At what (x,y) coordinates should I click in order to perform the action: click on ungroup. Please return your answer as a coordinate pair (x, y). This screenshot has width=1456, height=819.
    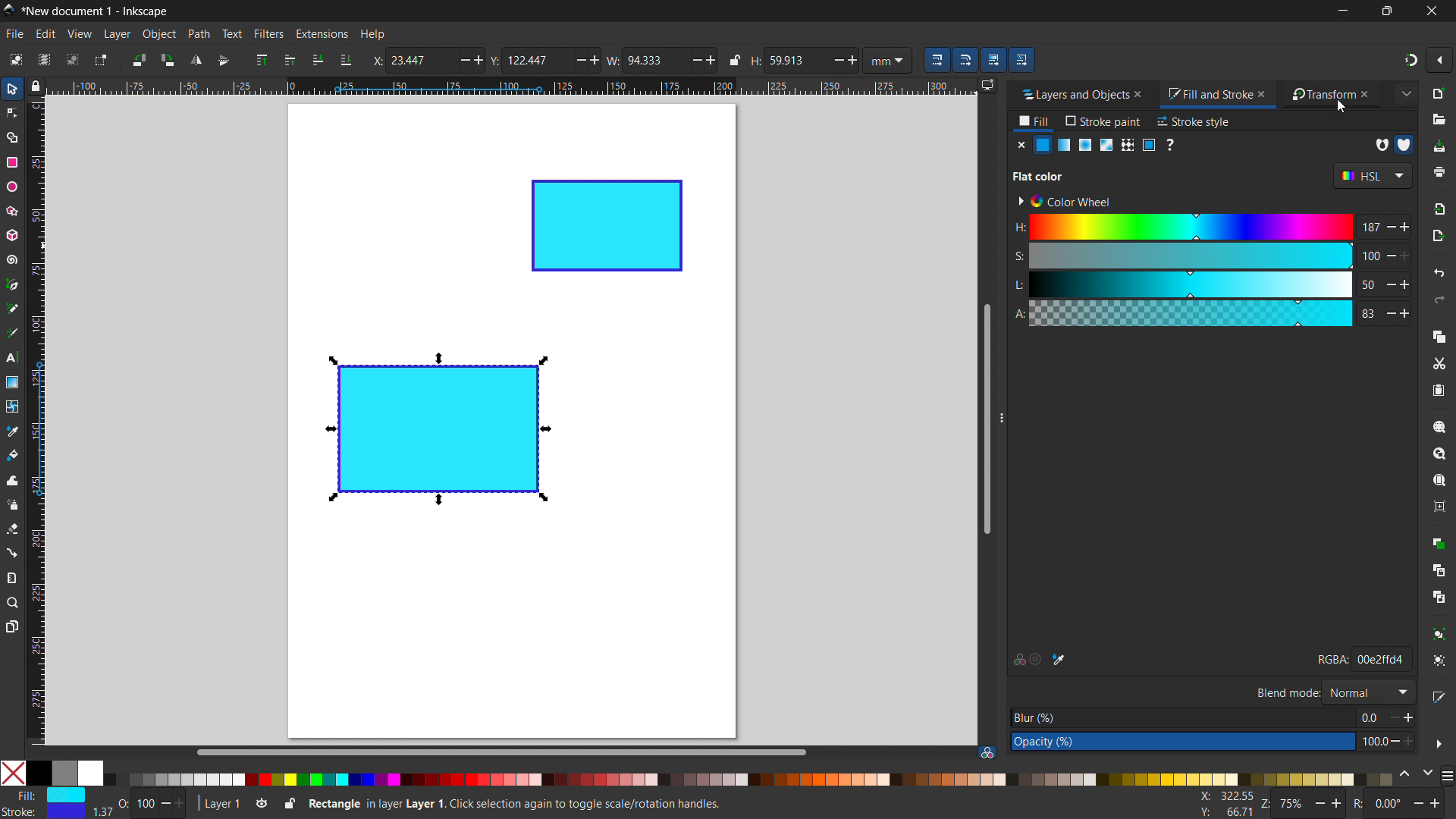
    Looking at the image, I should click on (1441, 661).